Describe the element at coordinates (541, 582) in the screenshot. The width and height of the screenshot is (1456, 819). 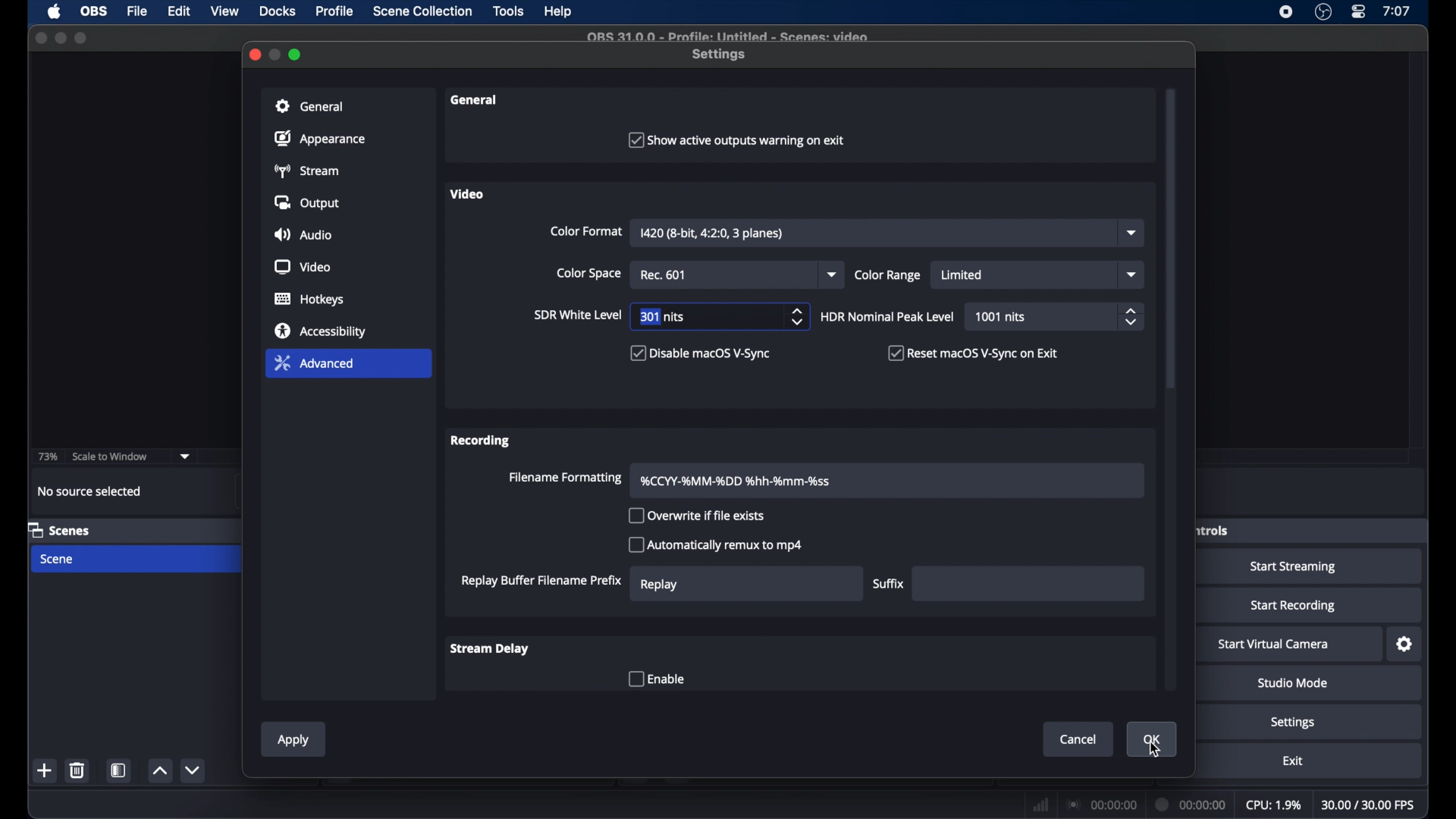
I see `replay buffer filename prefix` at that location.